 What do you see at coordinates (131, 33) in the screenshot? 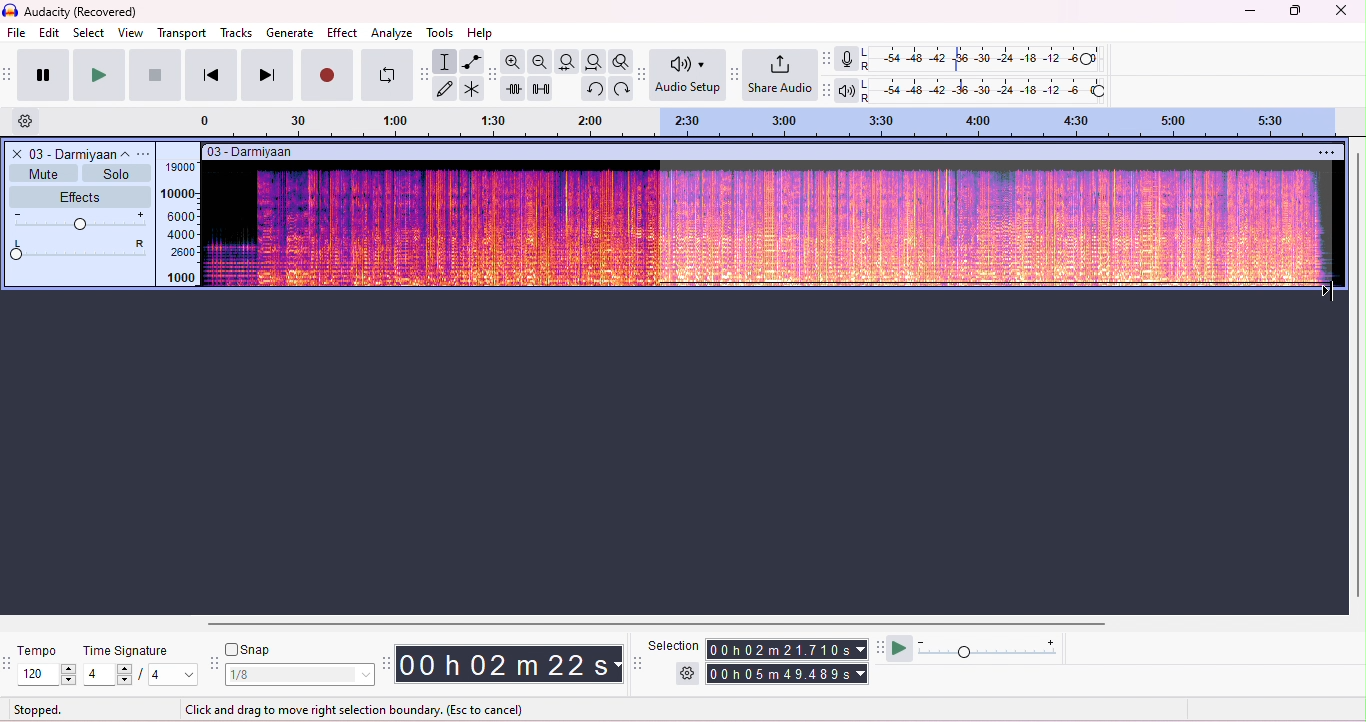
I see `view` at bounding box center [131, 33].